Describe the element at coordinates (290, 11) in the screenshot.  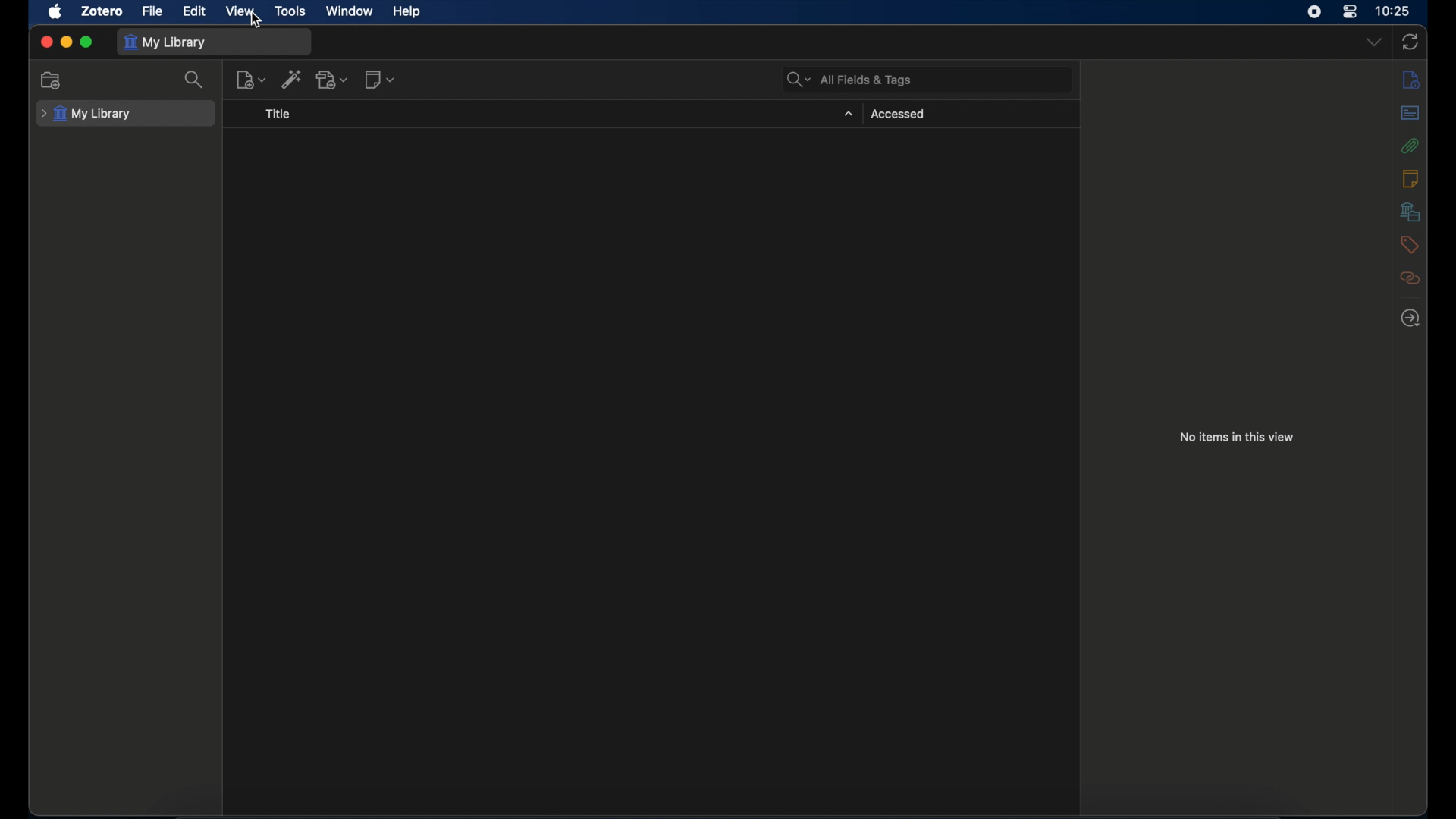
I see `tools` at that location.